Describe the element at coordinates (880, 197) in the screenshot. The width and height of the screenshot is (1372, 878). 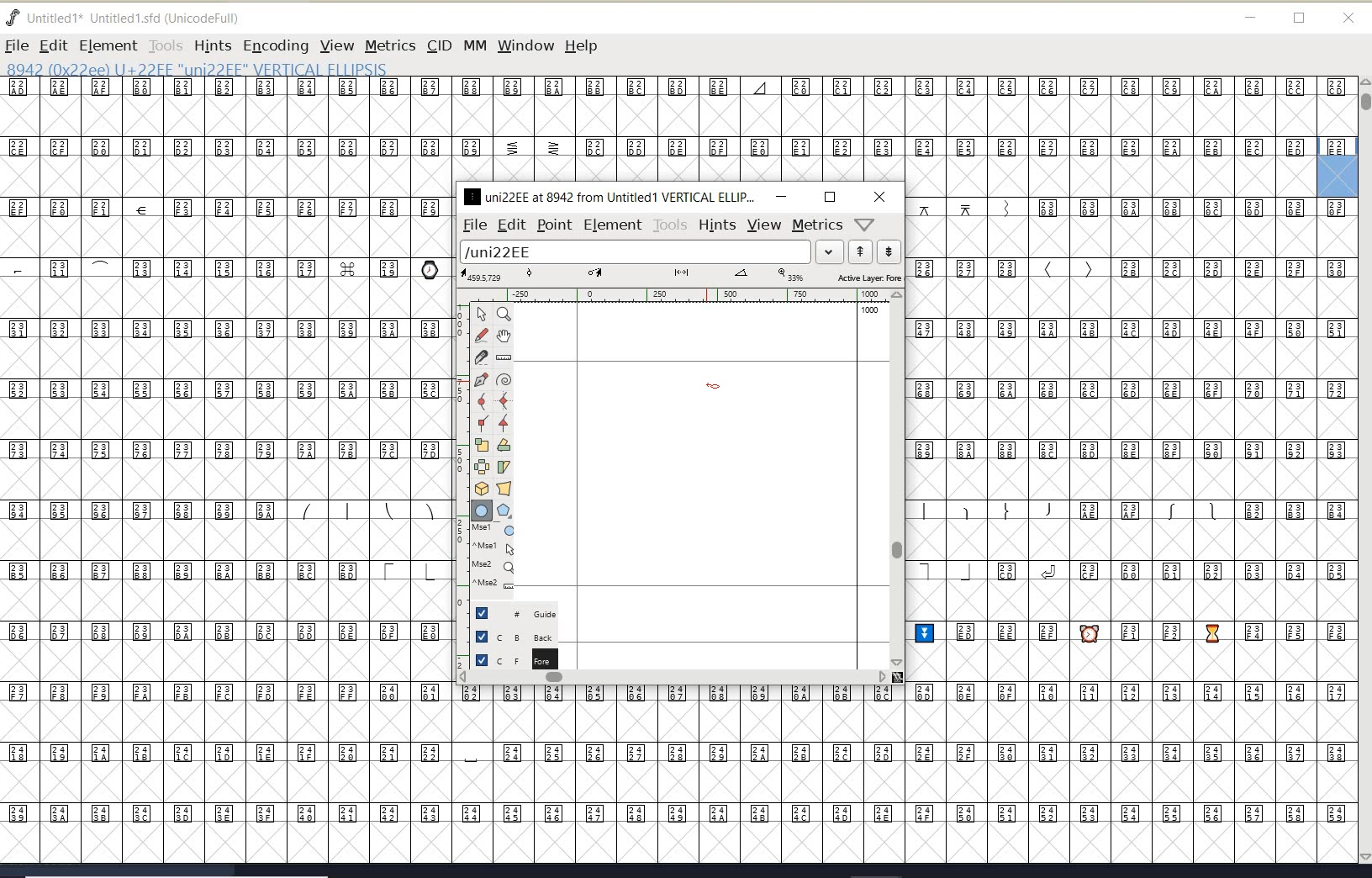
I see `close` at that location.